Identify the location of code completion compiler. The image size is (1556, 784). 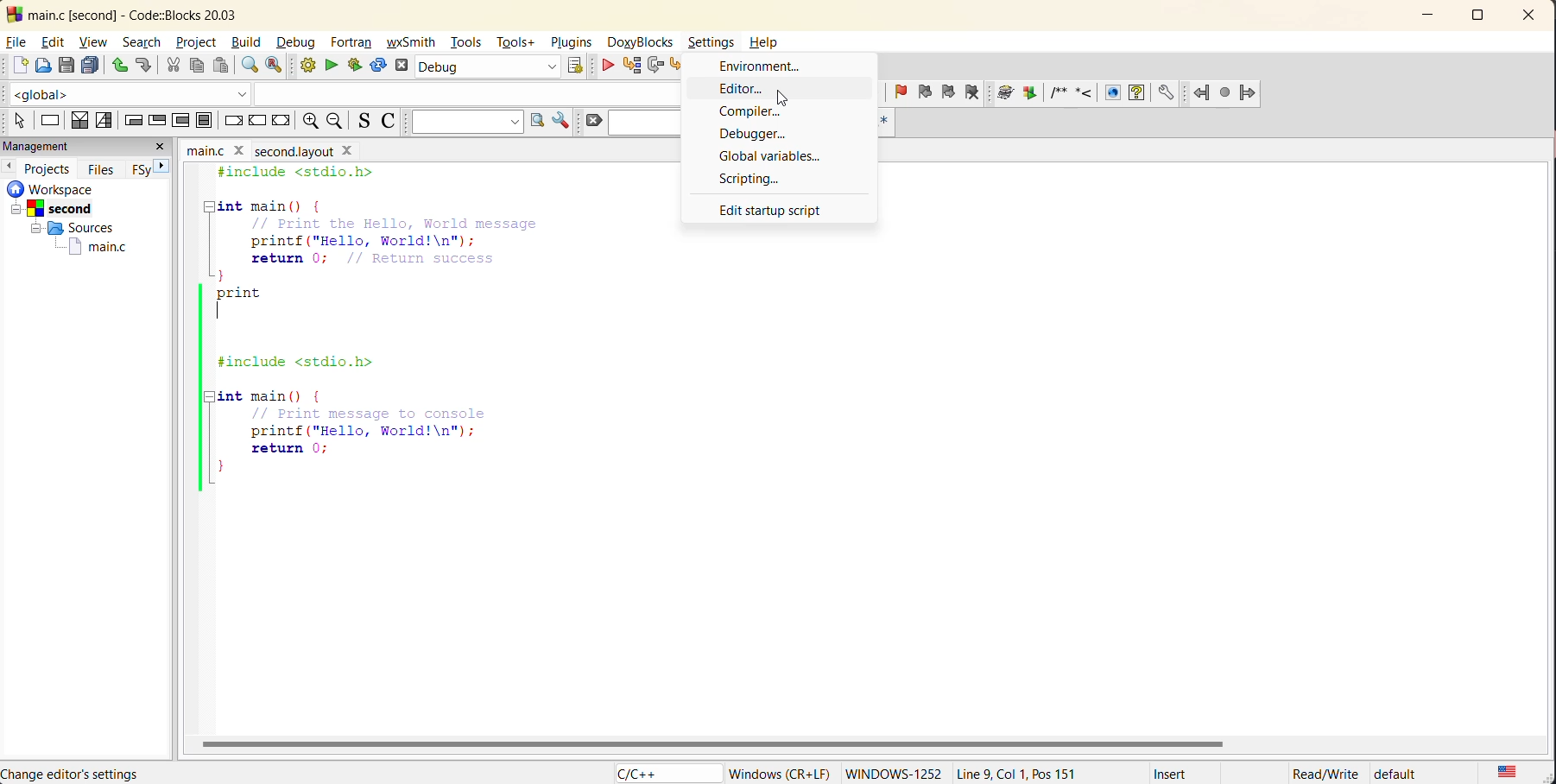
(346, 92).